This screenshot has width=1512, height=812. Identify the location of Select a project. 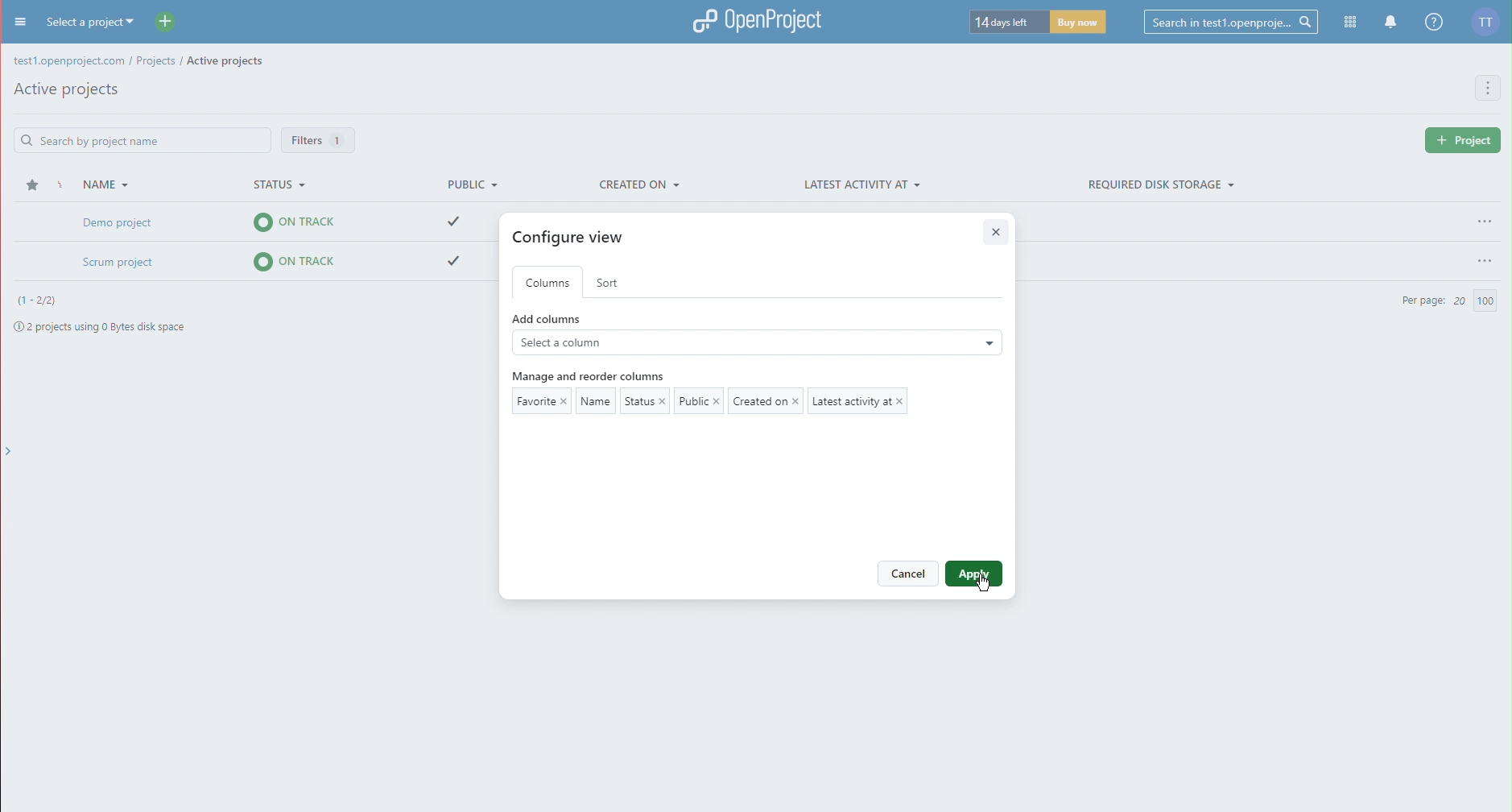
(111, 22).